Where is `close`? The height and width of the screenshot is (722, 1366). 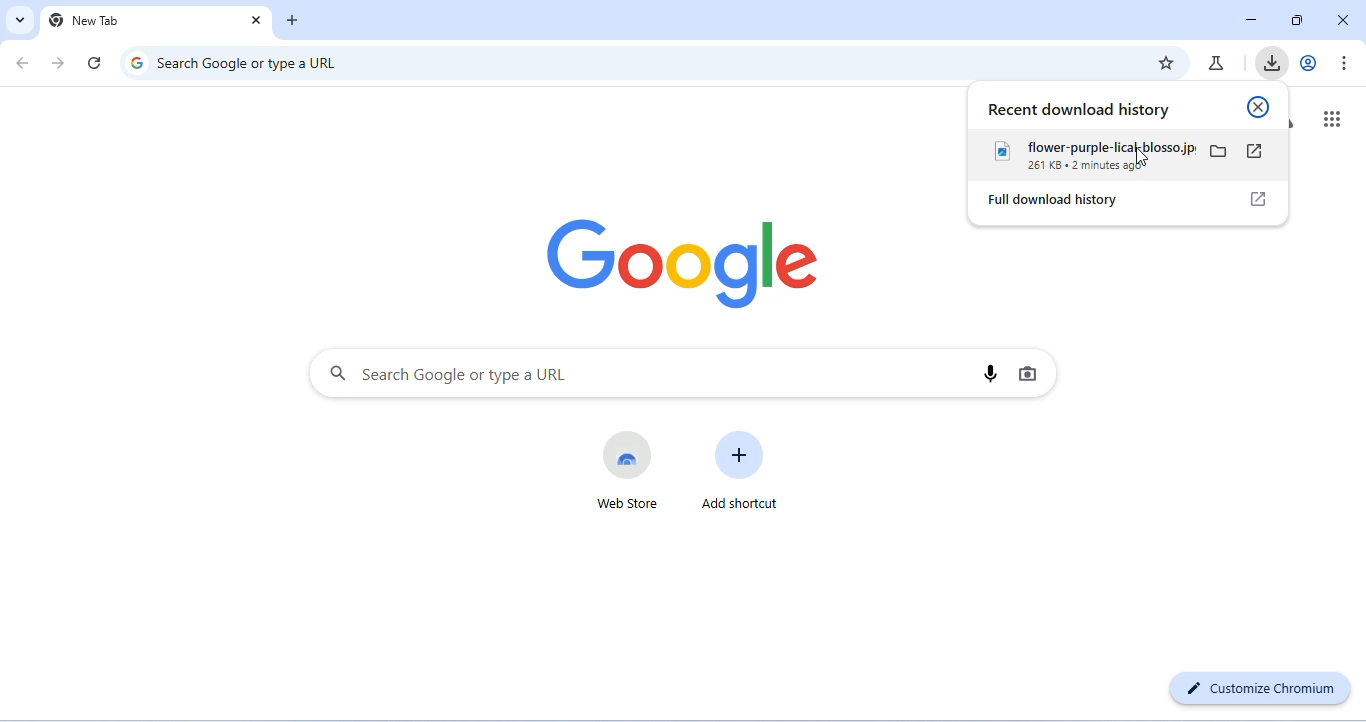
close is located at coordinates (1258, 107).